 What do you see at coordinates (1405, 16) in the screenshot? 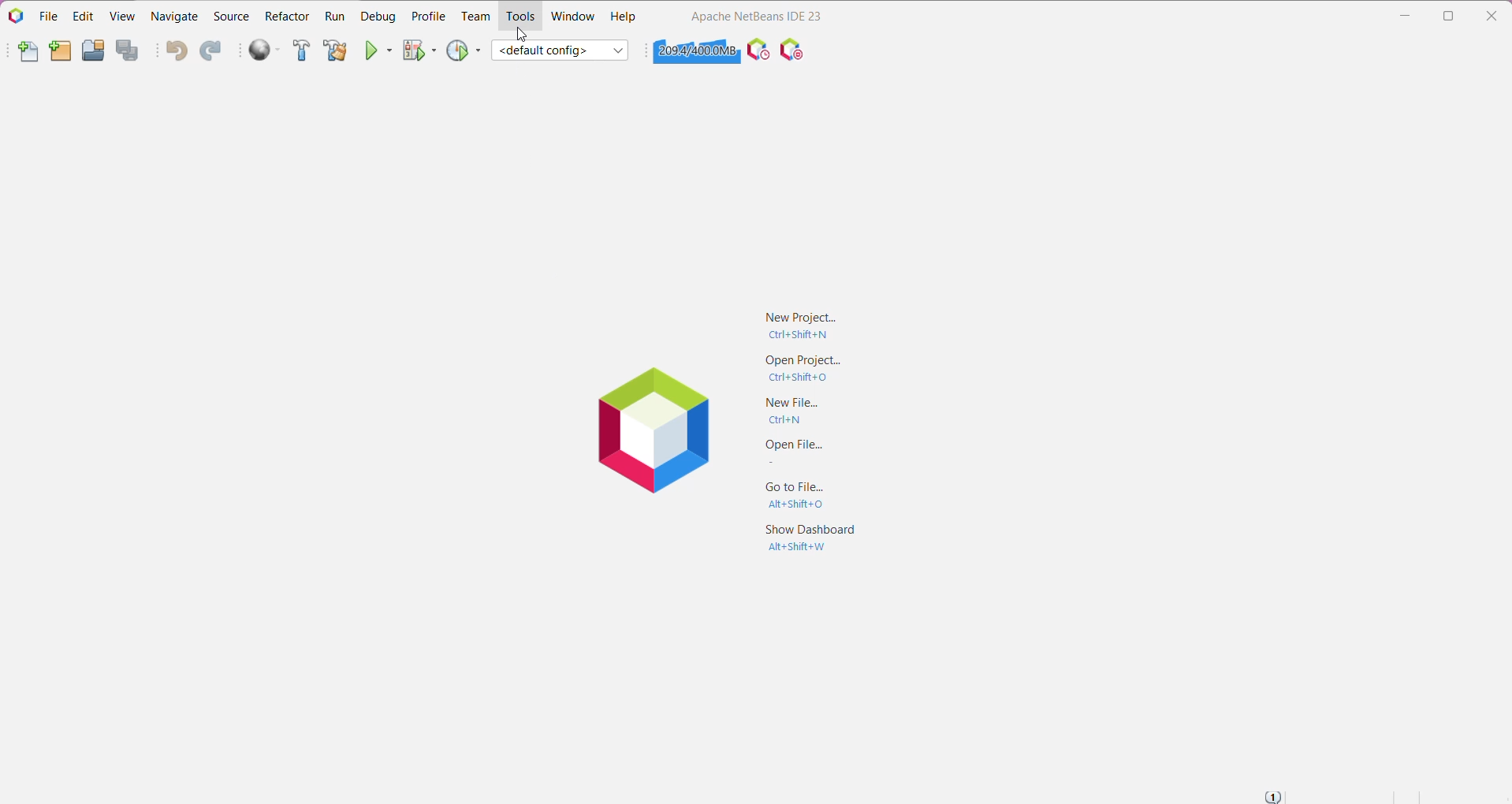
I see `Minimize` at bounding box center [1405, 16].